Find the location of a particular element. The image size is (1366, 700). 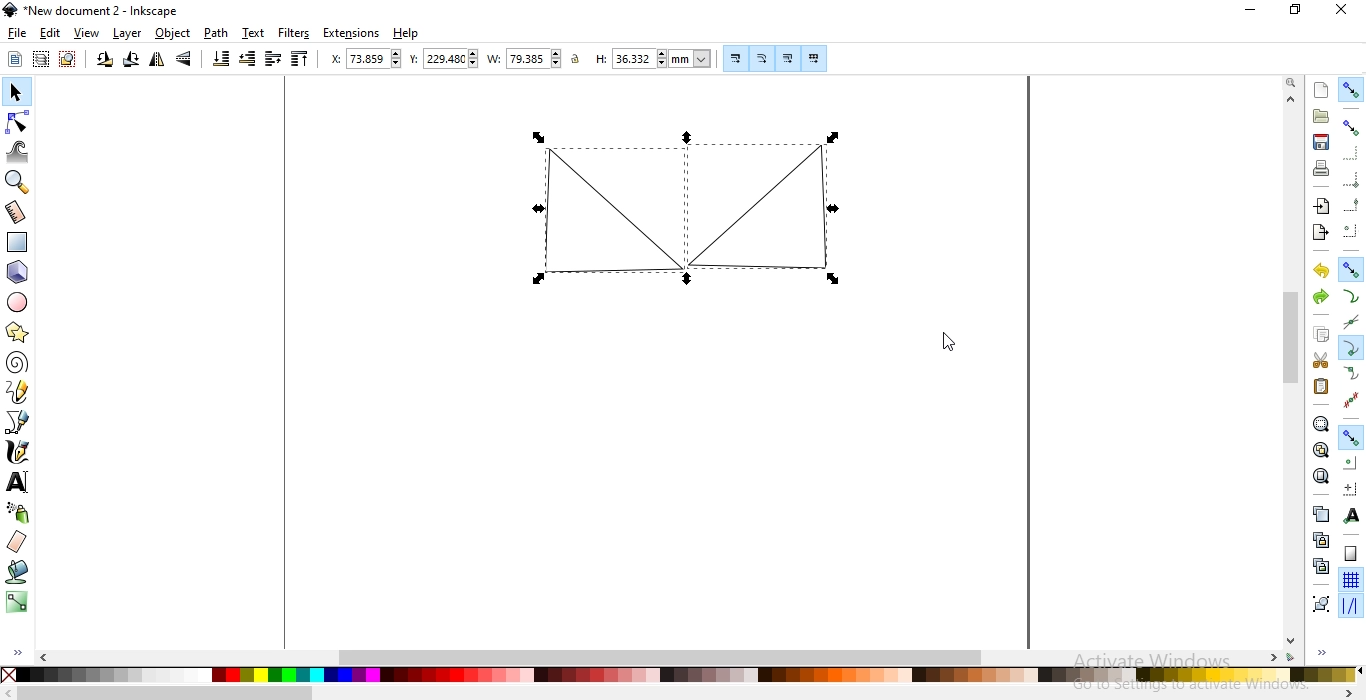

create and edit text objects is located at coordinates (18, 484).